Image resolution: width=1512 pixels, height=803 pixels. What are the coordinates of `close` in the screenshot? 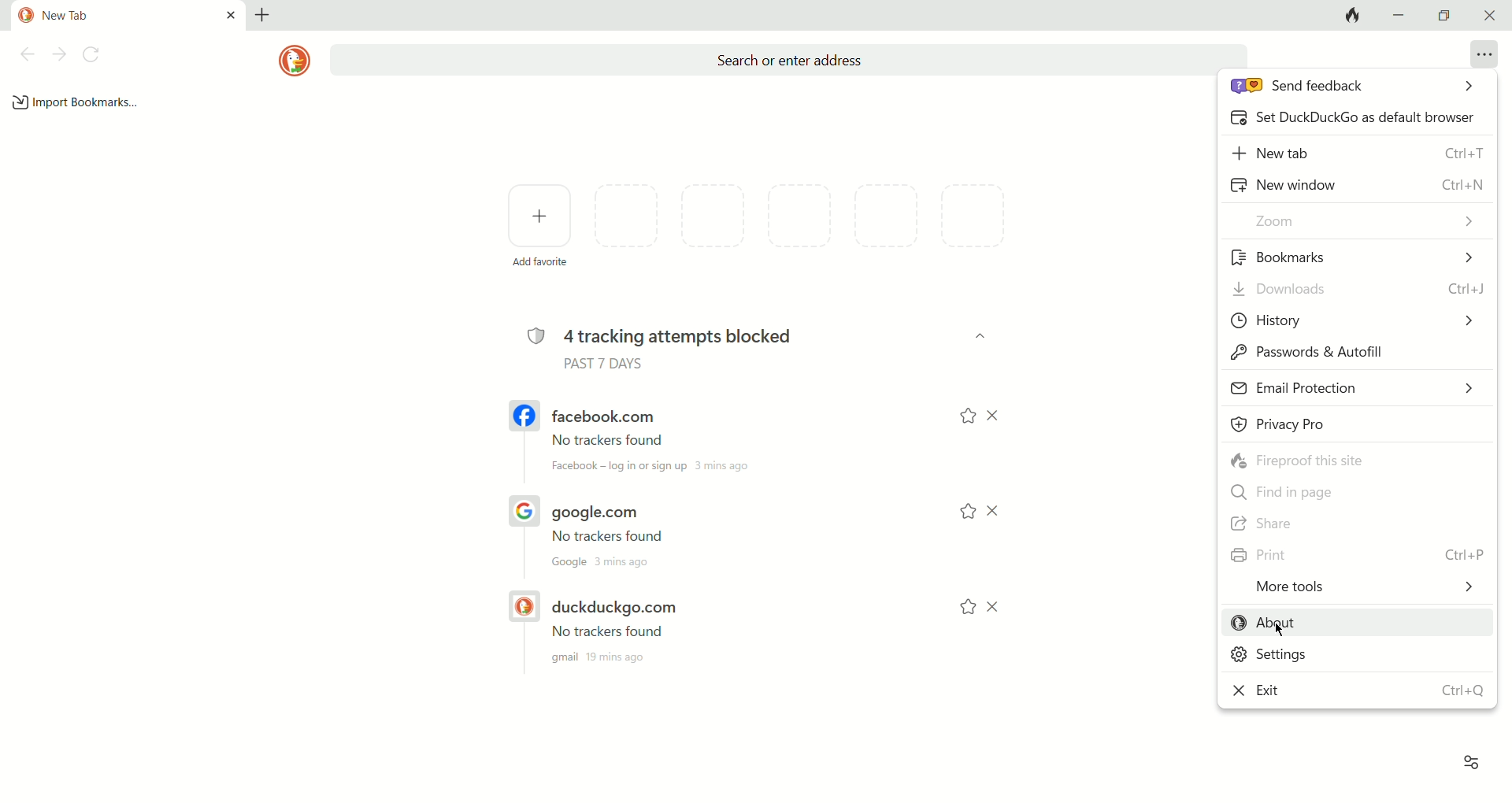 It's located at (996, 416).